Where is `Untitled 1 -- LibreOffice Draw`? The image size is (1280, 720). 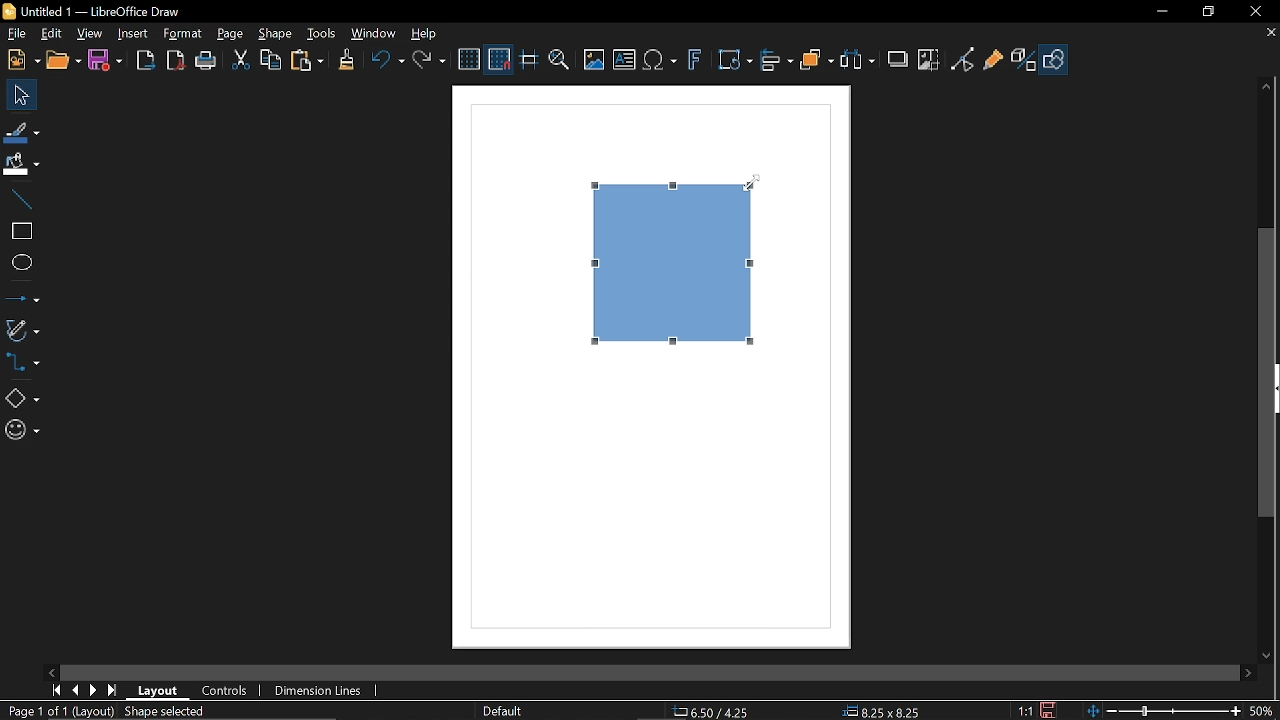
Untitled 1 -- LibreOffice Draw is located at coordinates (120, 9).